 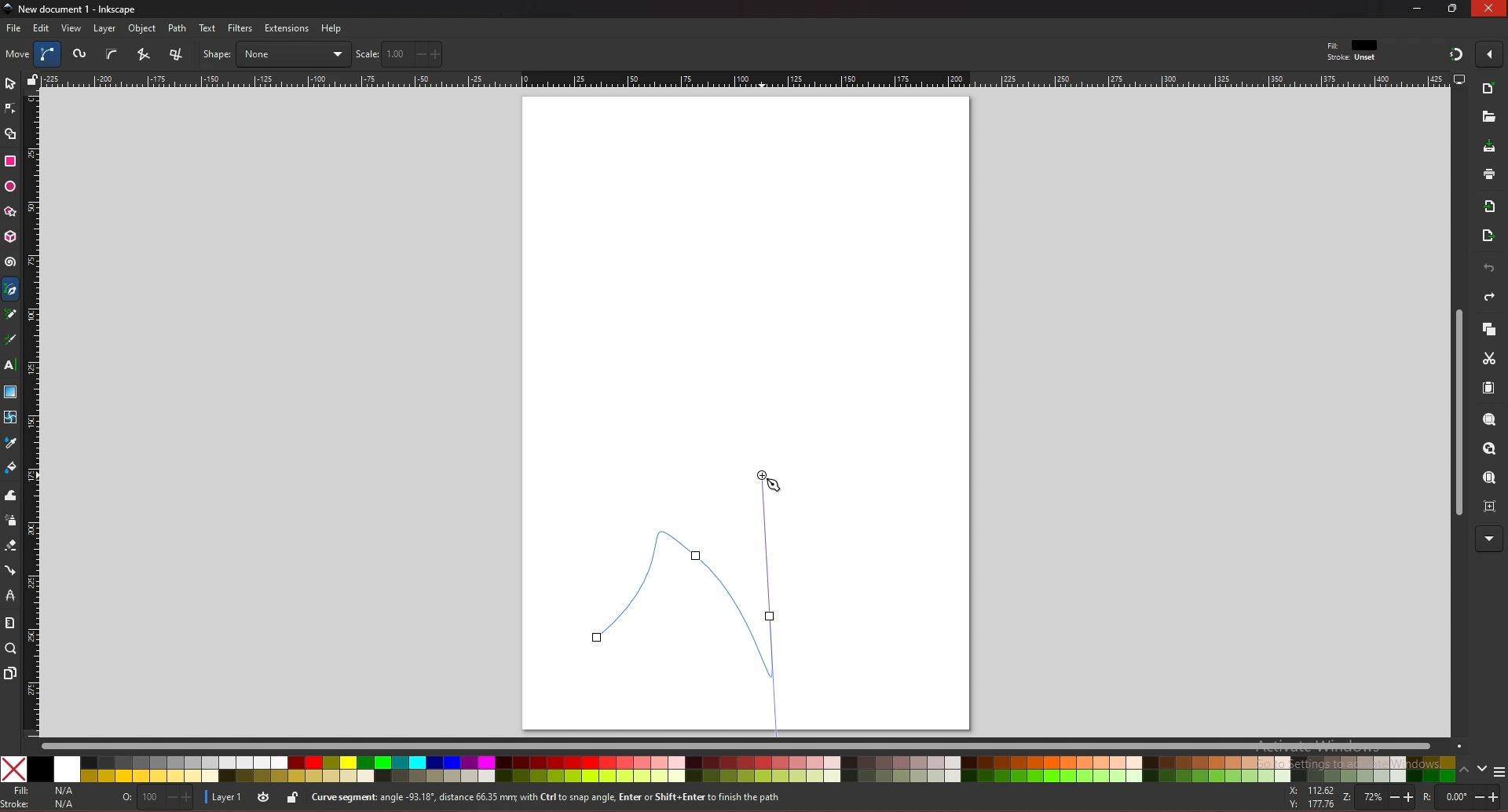 I want to click on print, so click(x=1489, y=174).